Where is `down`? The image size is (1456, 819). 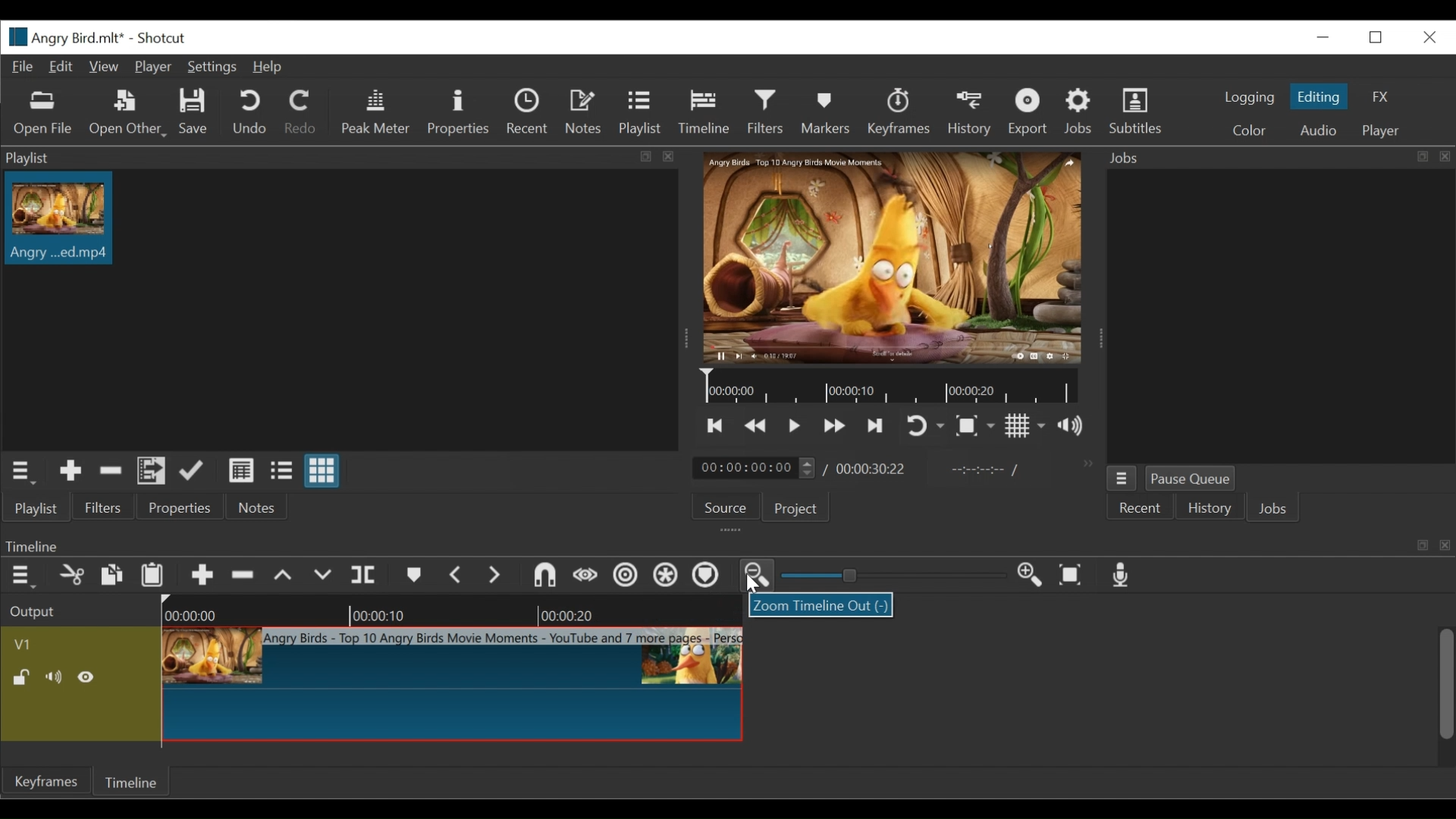 down is located at coordinates (328, 576).